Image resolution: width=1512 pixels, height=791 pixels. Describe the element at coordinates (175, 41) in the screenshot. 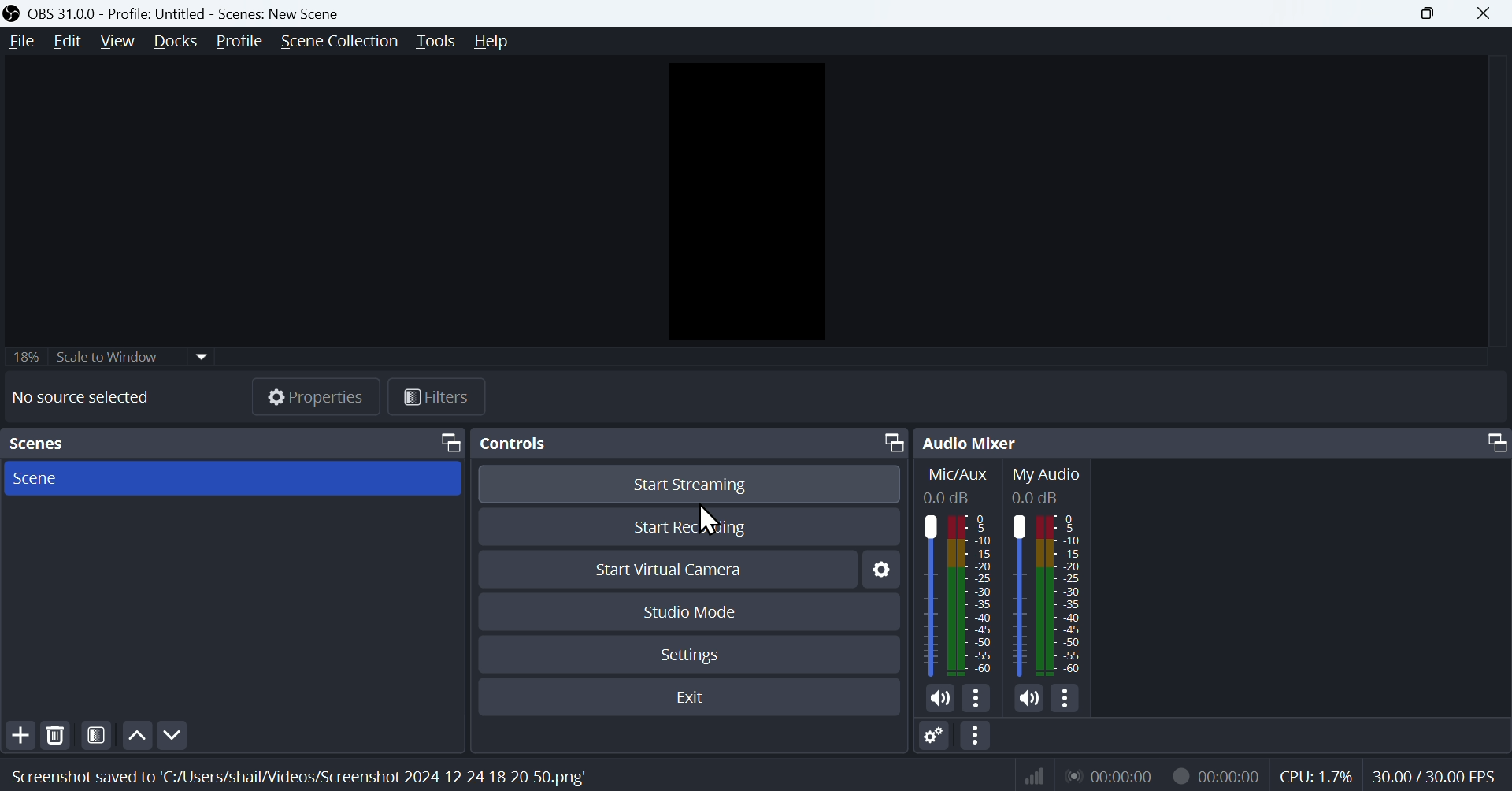

I see `Docks` at that location.